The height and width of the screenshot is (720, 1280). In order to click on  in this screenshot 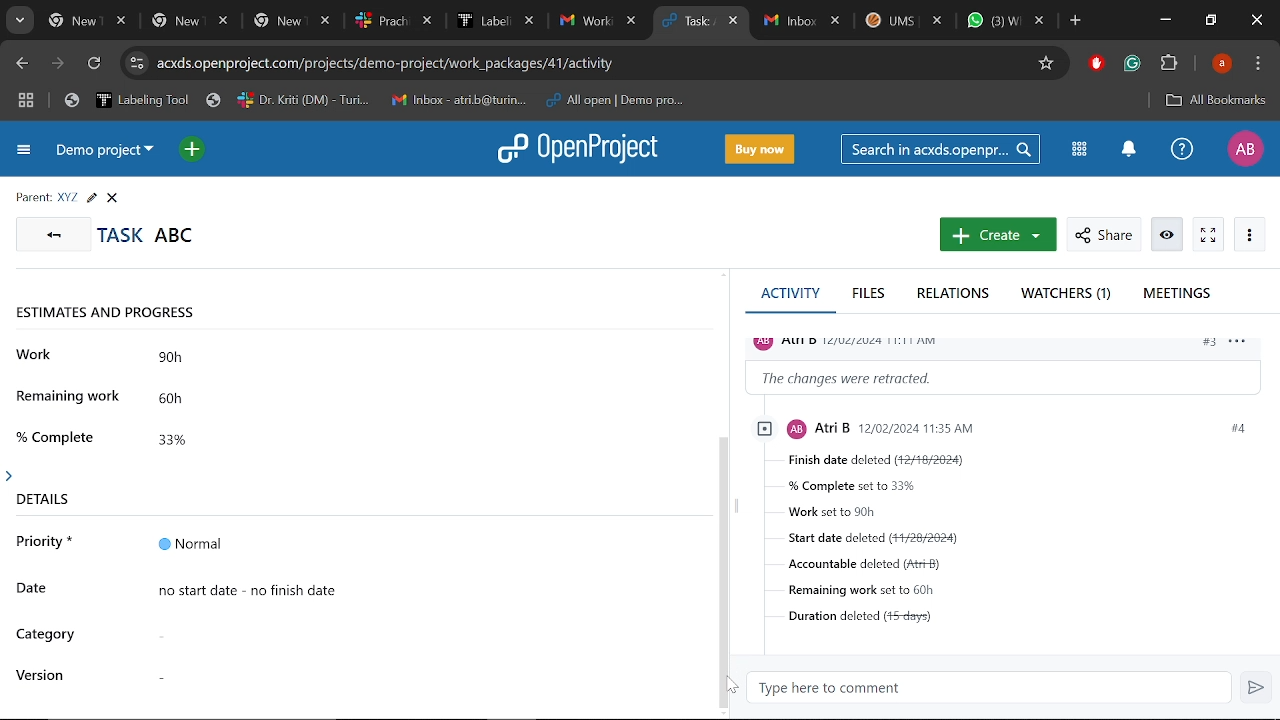, I will do `click(27, 151)`.